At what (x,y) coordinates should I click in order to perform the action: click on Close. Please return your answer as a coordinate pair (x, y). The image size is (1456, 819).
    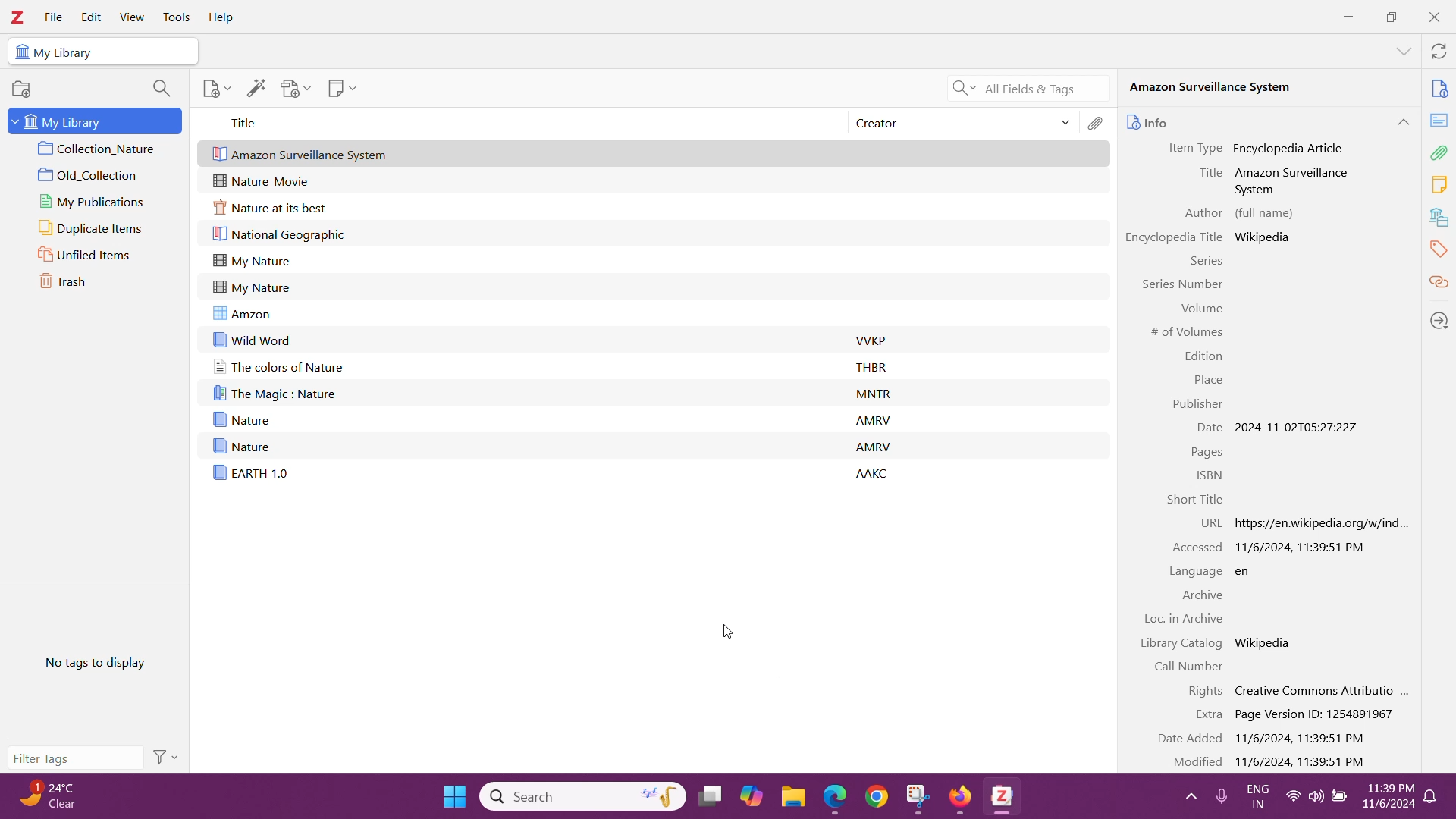
    Looking at the image, I should click on (1433, 17).